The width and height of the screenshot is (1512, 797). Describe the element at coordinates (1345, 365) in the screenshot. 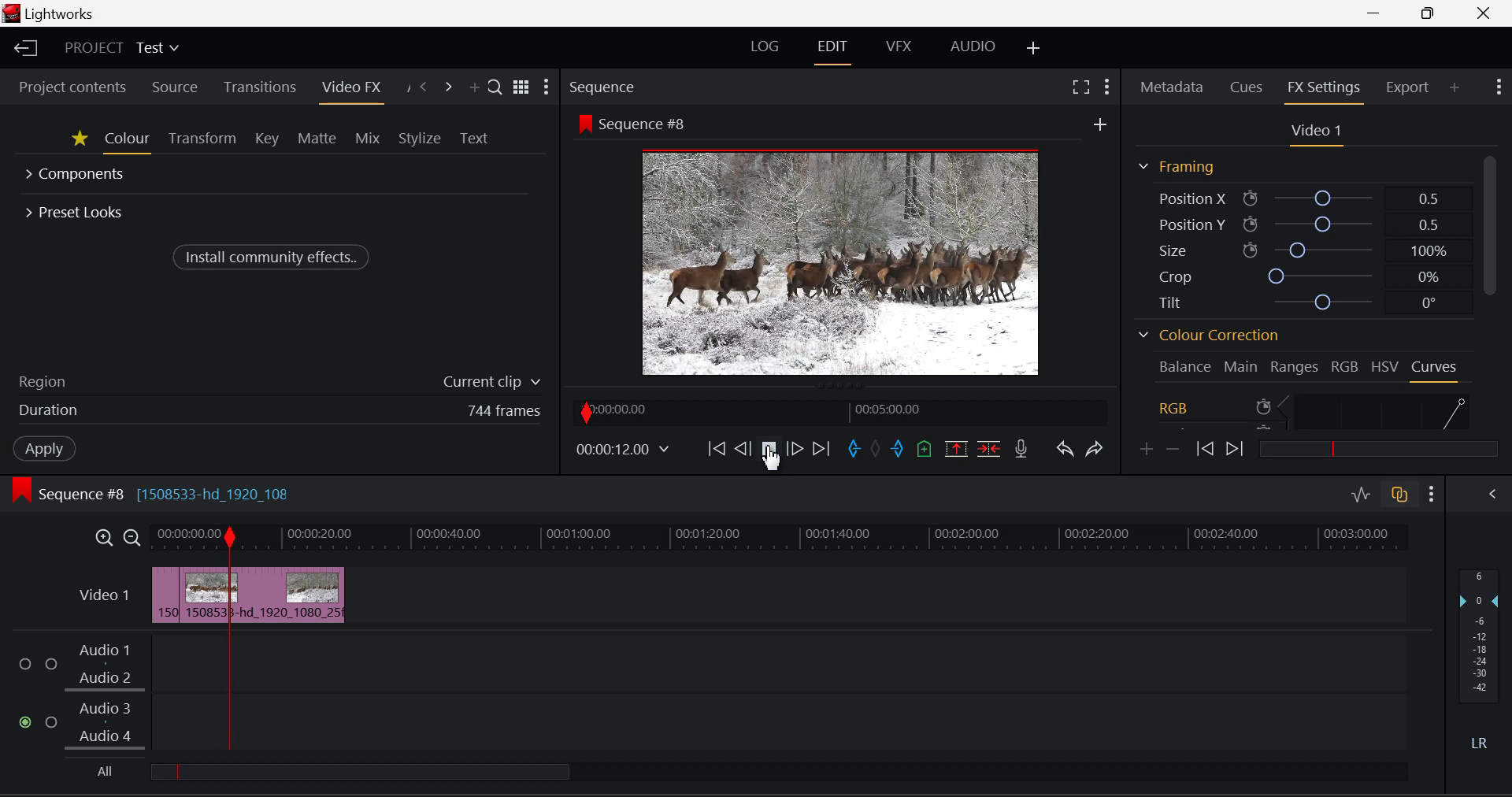

I see `RGB` at that location.